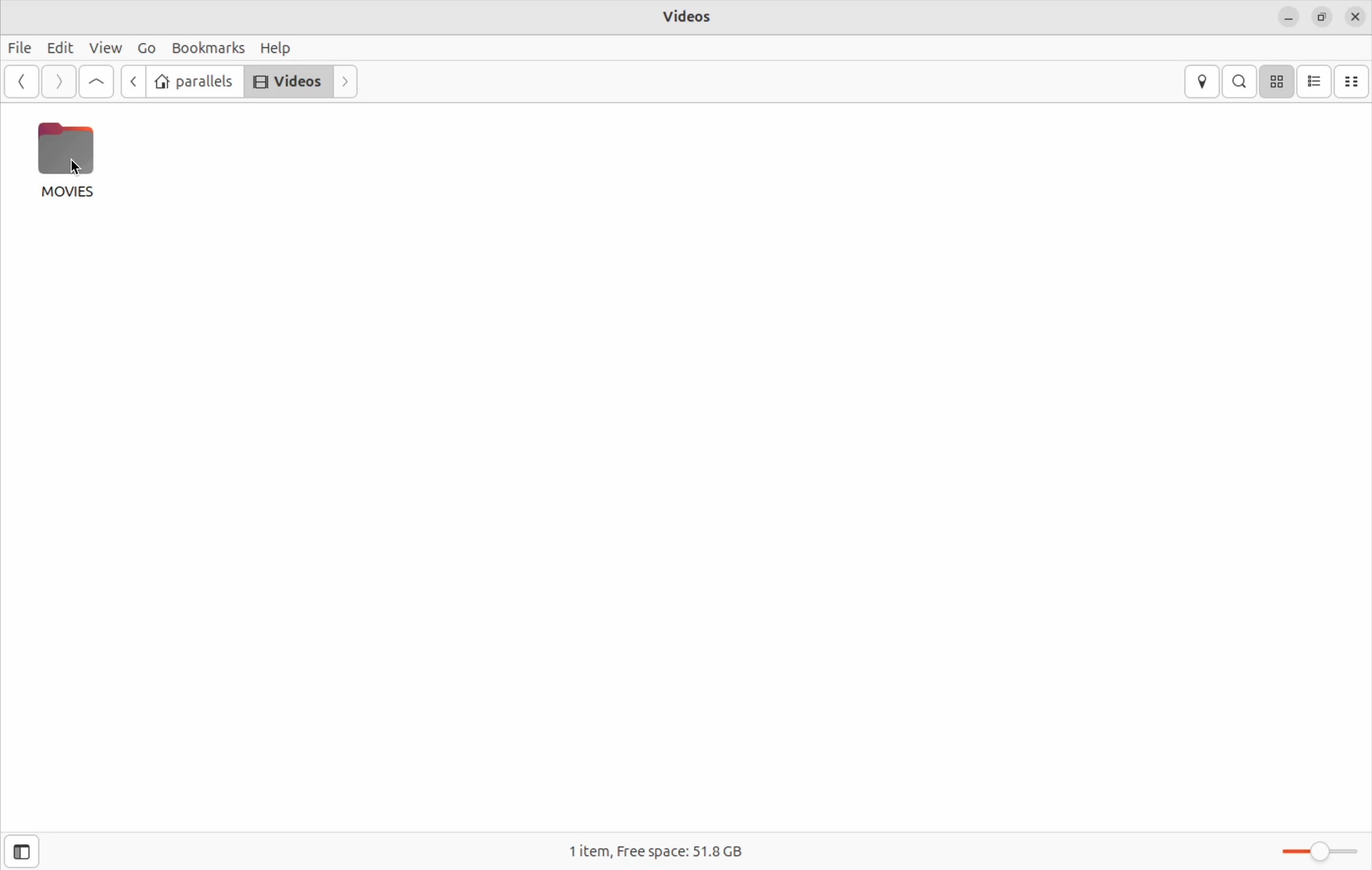  I want to click on View, so click(103, 48).